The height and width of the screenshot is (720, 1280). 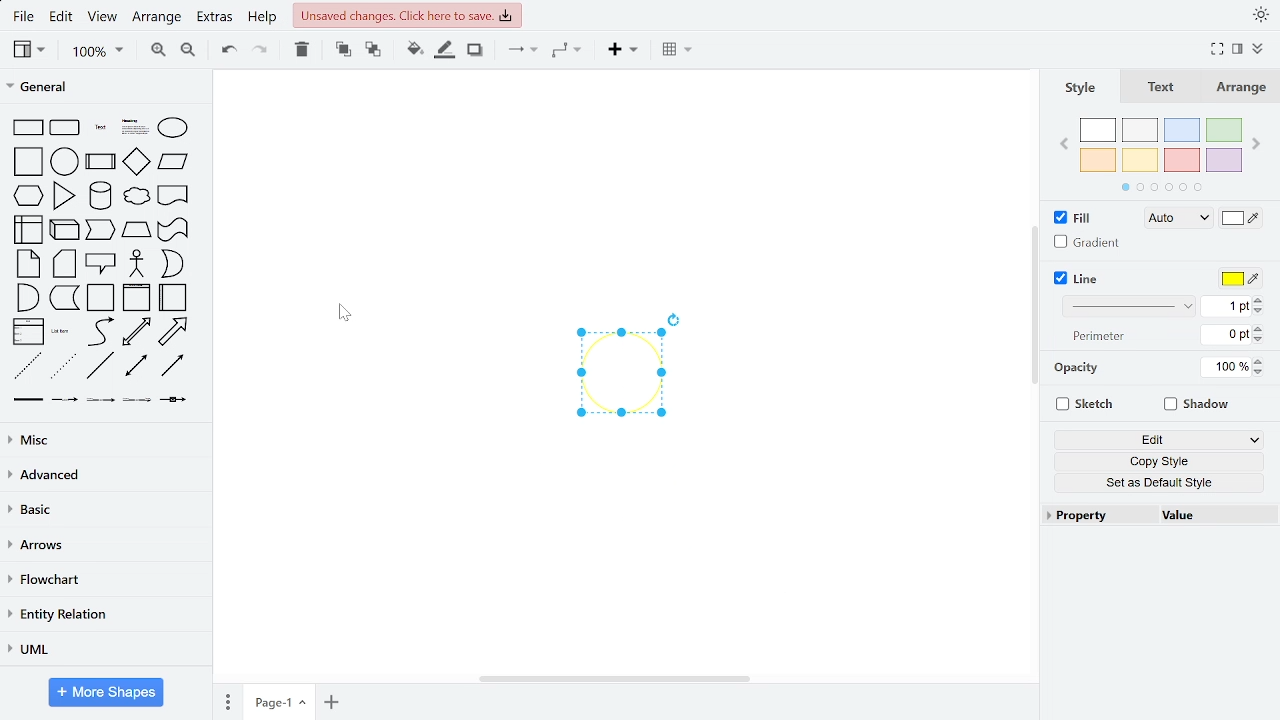 I want to click on link with symbol, so click(x=175, y=400).